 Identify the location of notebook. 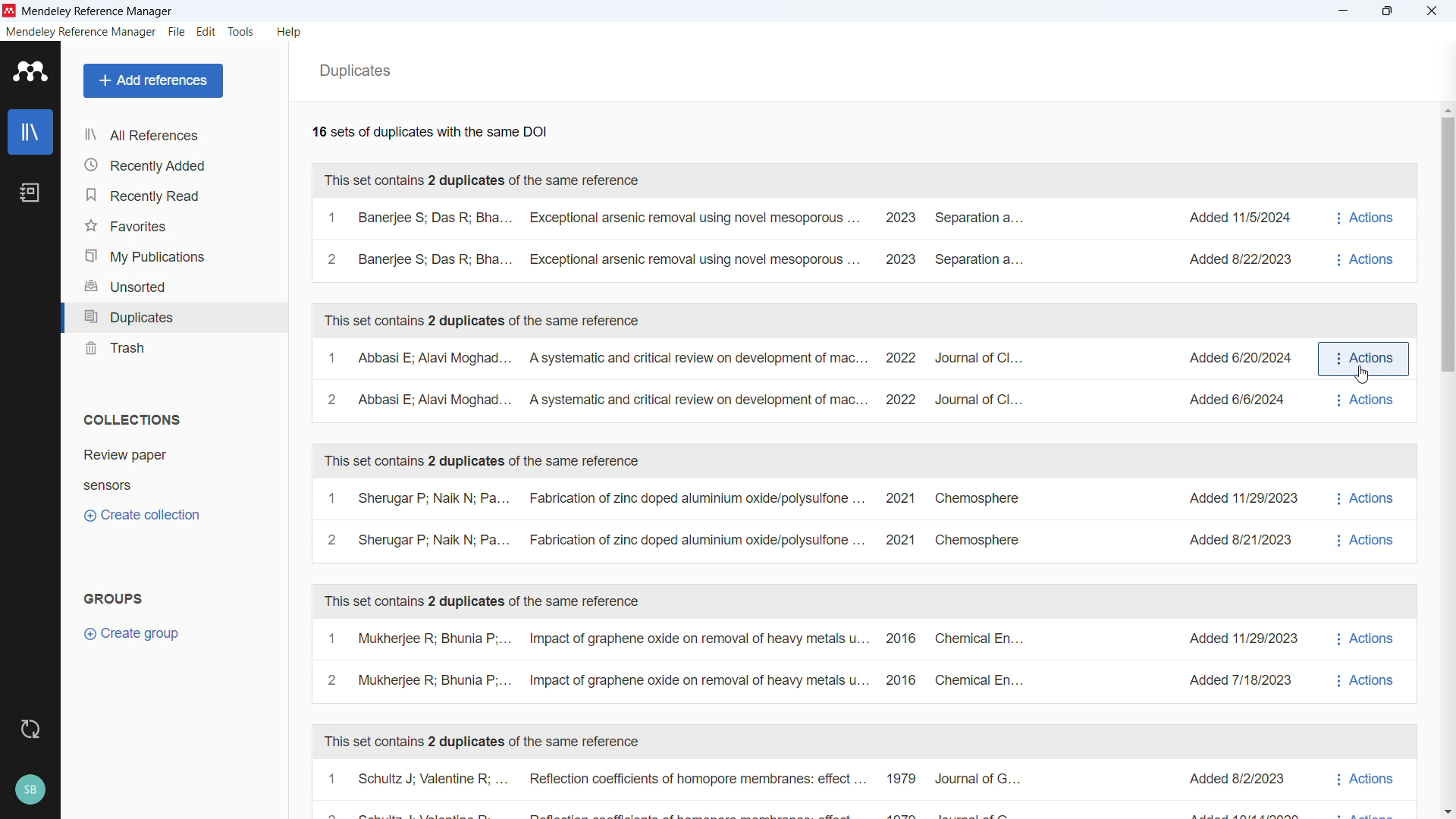
(32, 193).